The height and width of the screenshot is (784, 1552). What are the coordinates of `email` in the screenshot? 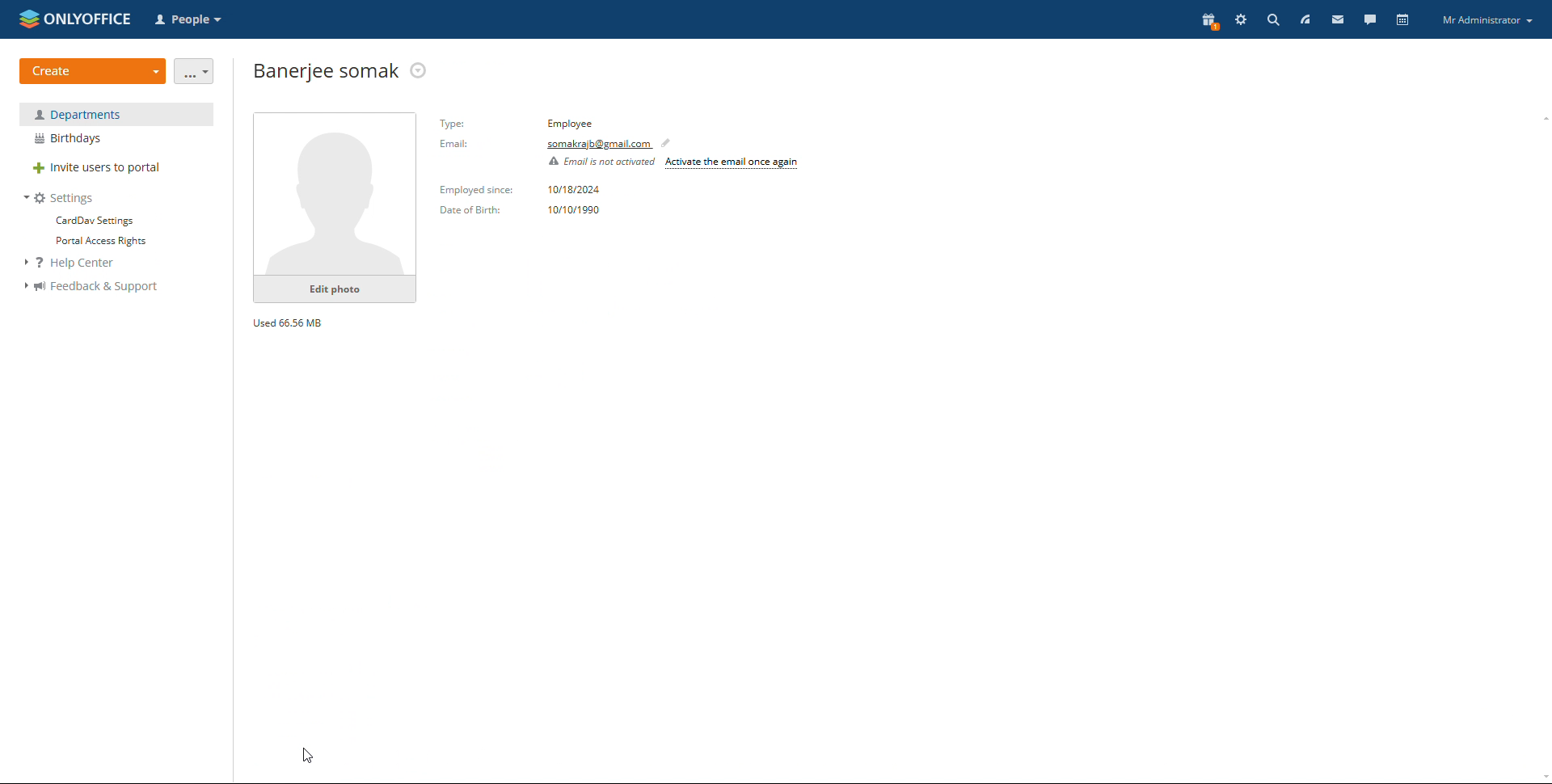 It's located at (599, 145).